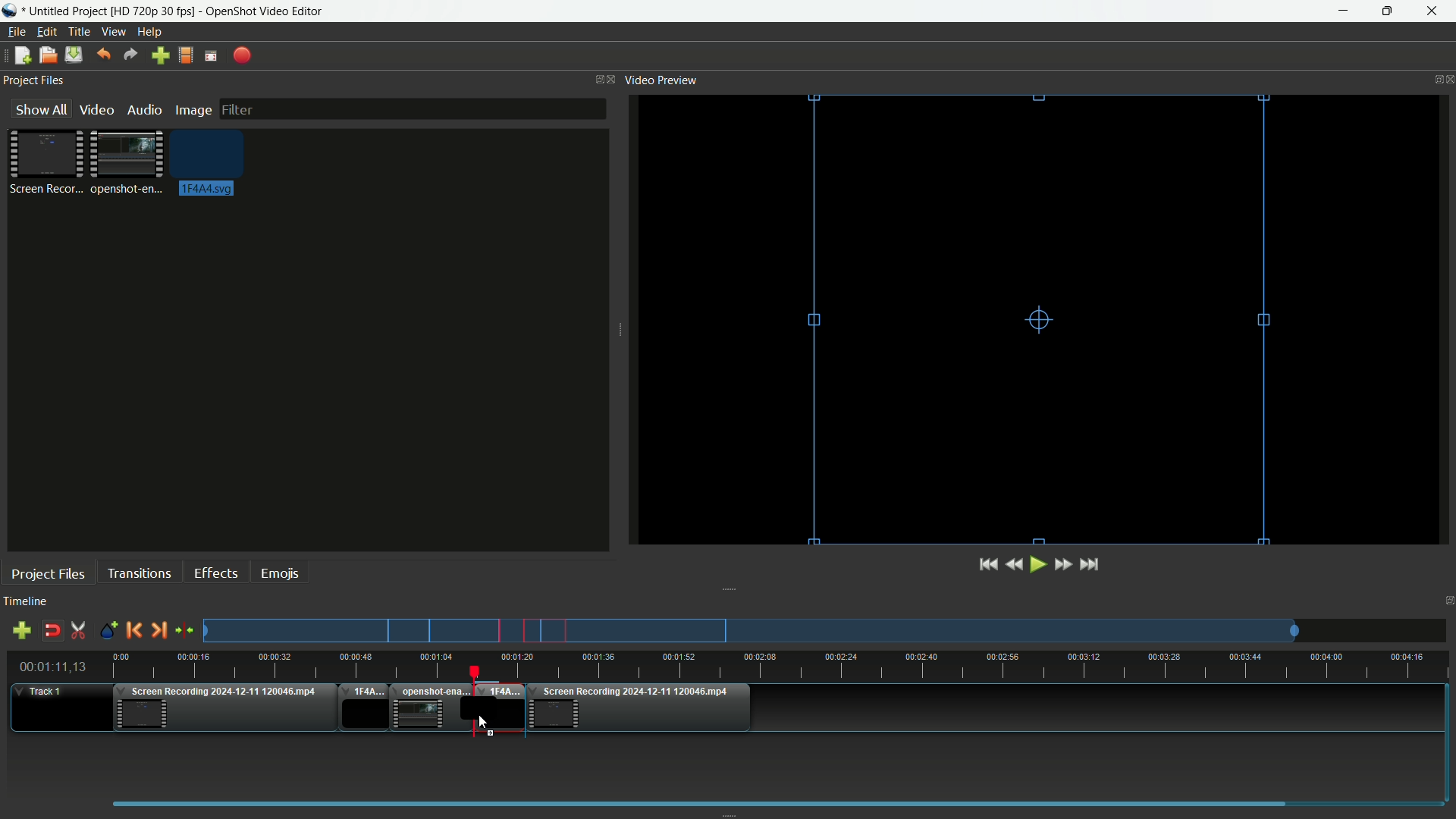 This screenshot has height=819, width=1456. Describe the element at coordinates (482, 726) in the screenshot. I see `cursor` at that location.